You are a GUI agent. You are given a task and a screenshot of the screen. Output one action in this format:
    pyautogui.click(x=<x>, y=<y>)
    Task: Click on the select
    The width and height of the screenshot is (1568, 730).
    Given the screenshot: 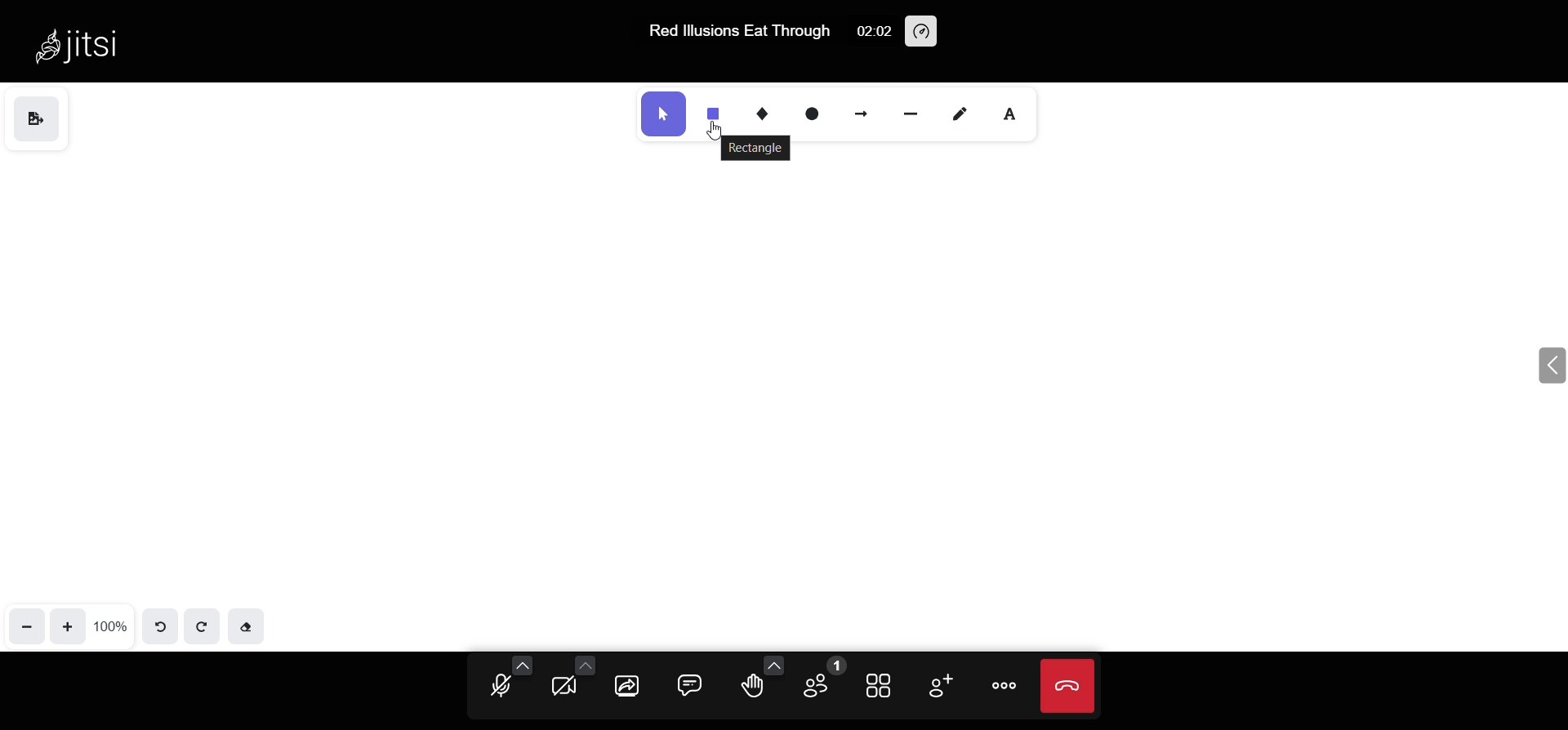 What is the action you would take?
    pyautogui.click(x=663, y=113)
    